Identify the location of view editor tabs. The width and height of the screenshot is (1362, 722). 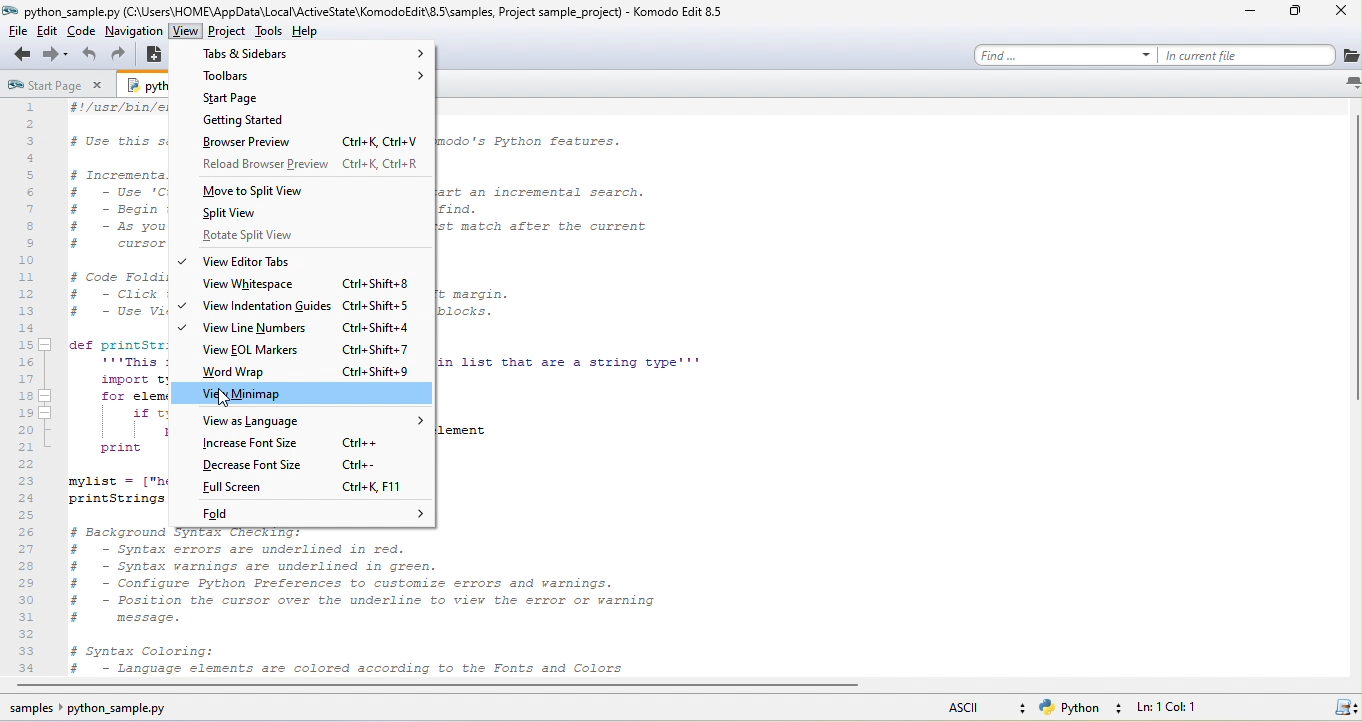
(280, 256).